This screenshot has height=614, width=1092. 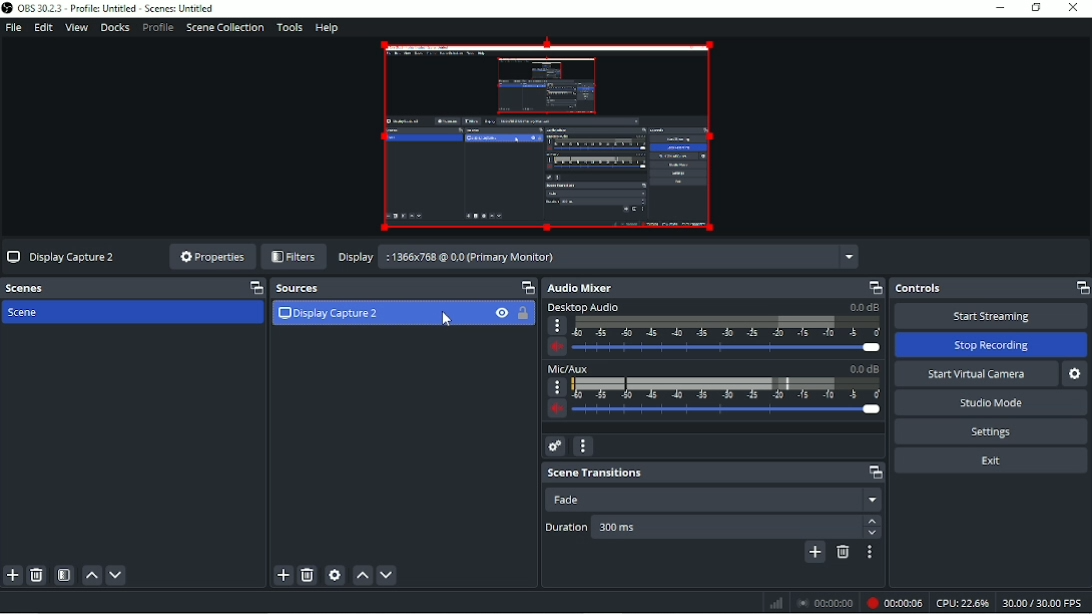 I want to click on Fade, so click(x=715, y=499).